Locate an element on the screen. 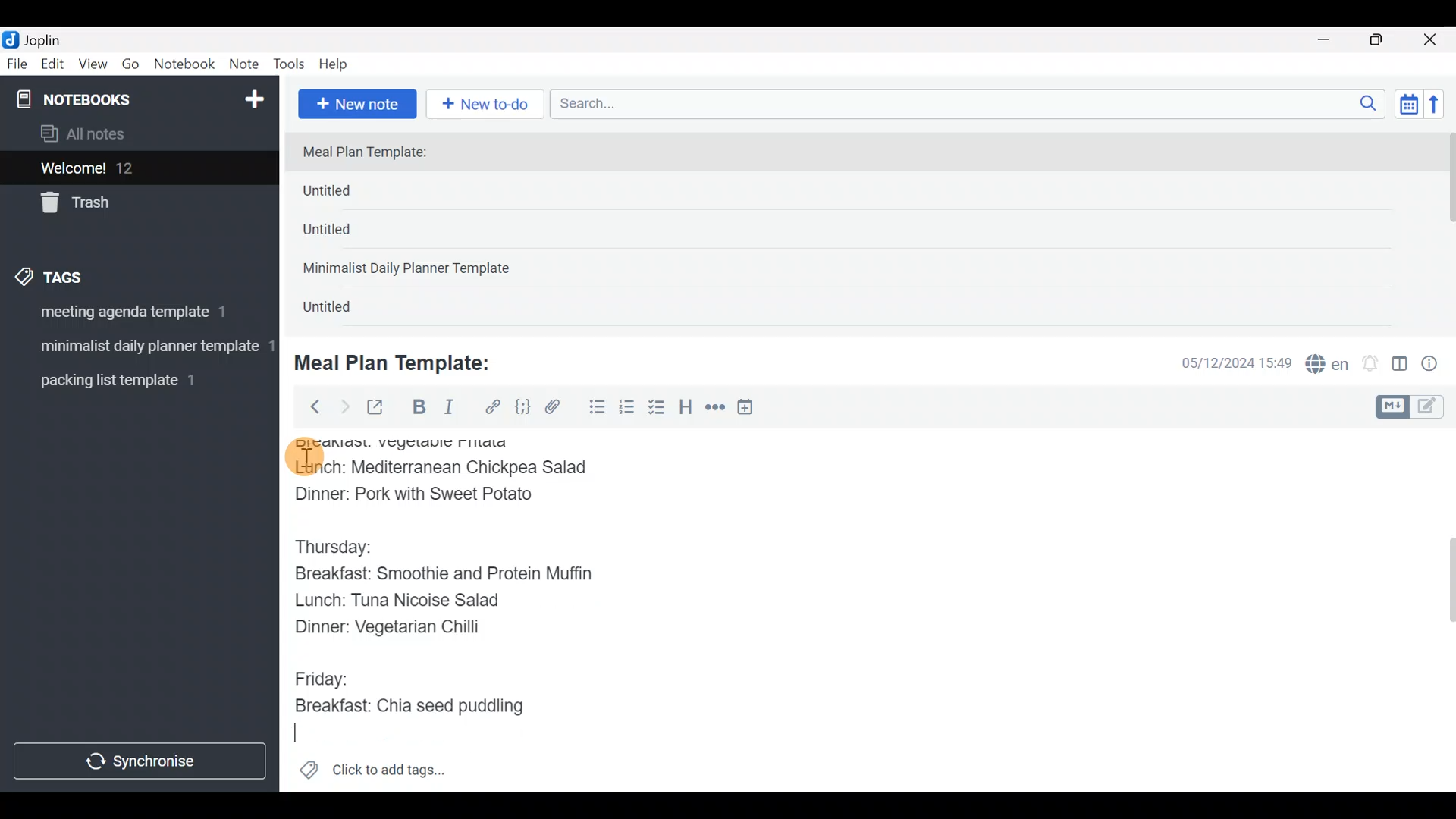  Untitled is located at coordinates (344, 310).